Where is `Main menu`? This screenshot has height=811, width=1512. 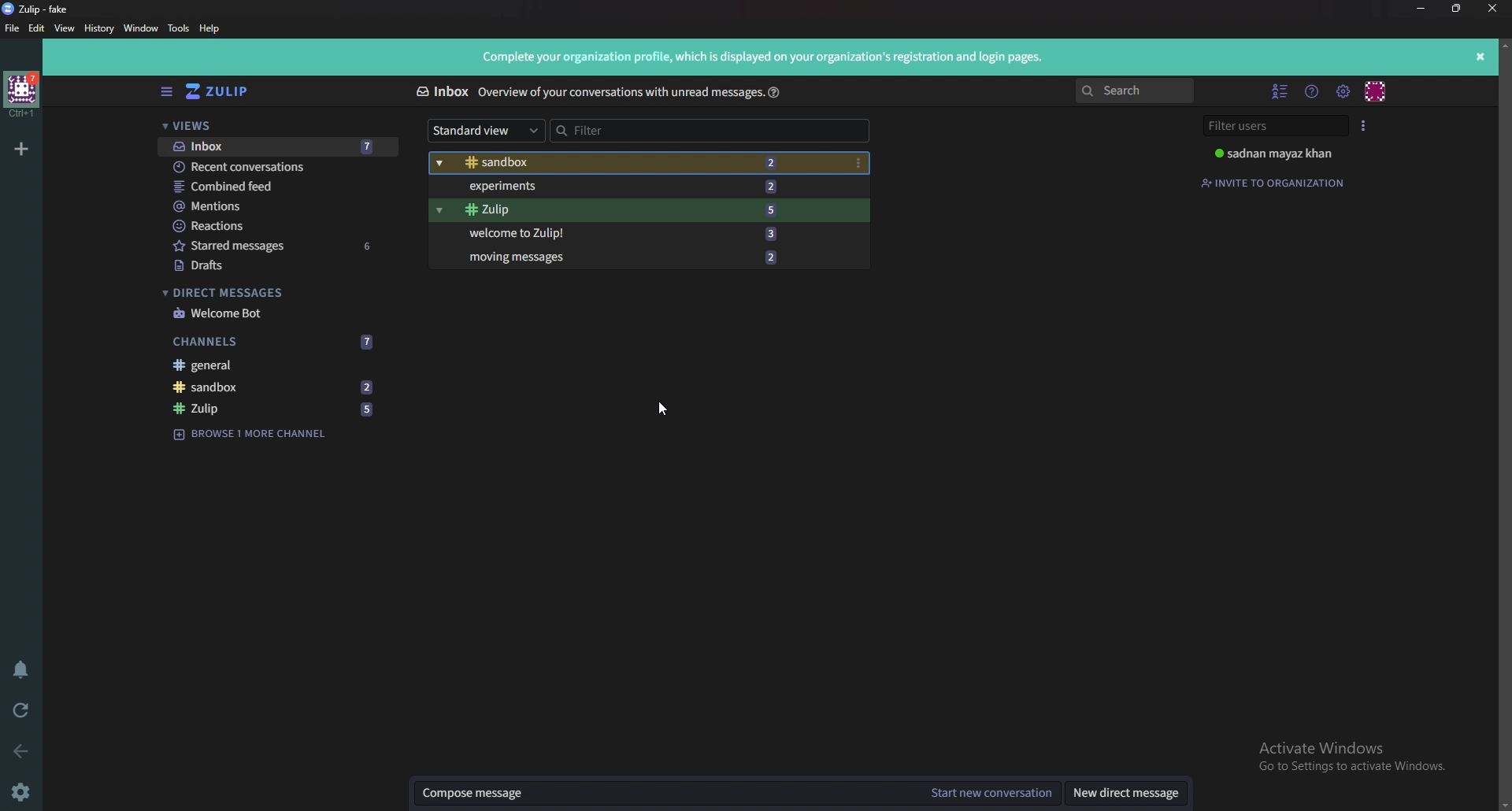 Main menu is located at coordinates (1342, 91).